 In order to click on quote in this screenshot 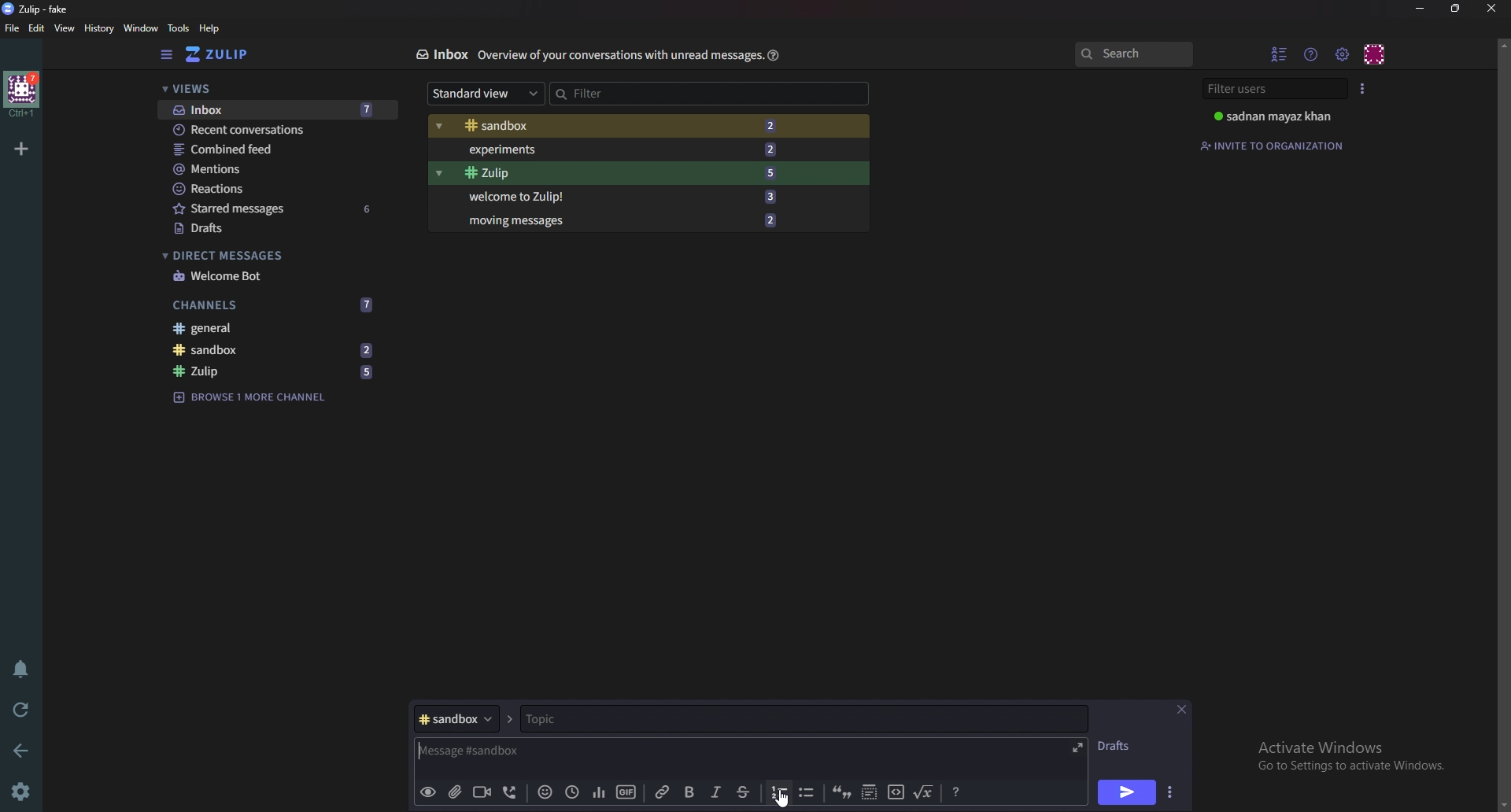, I will do `click(843, 794)`.